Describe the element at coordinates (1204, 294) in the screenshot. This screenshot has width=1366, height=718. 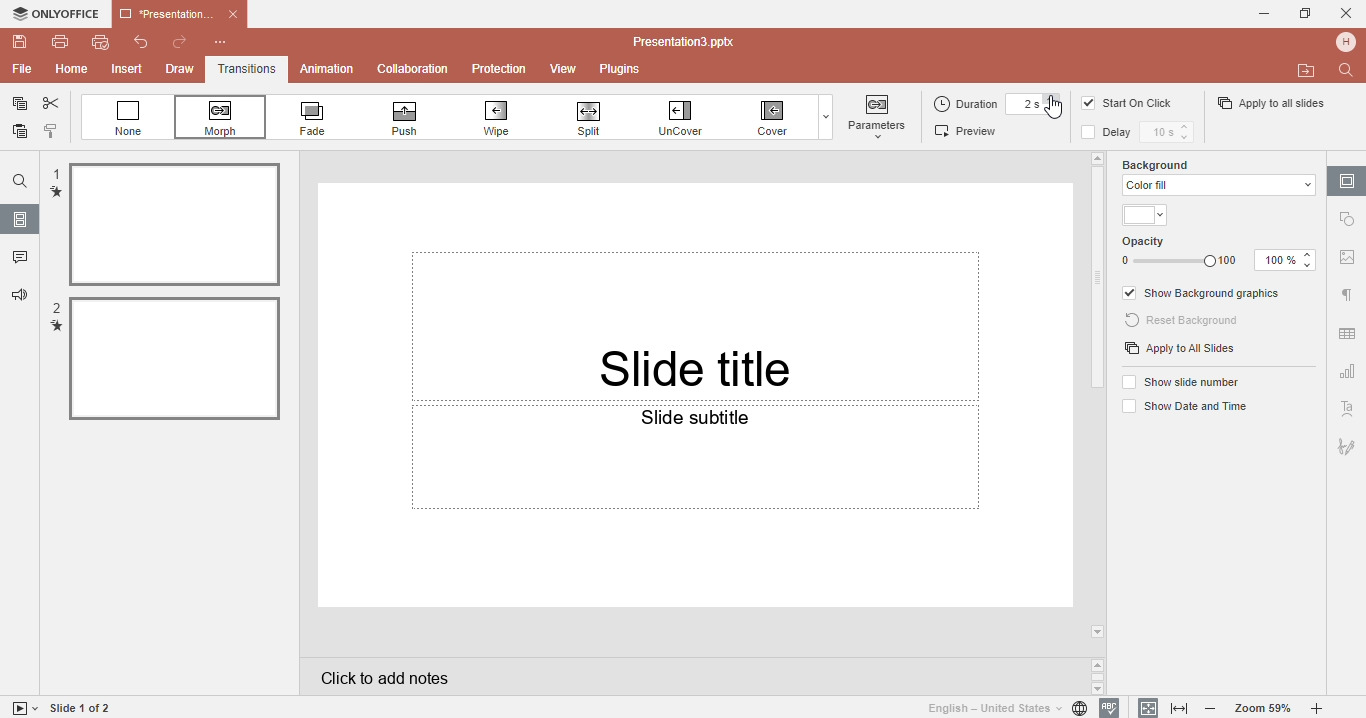
I see `Show background graphics` at that location.